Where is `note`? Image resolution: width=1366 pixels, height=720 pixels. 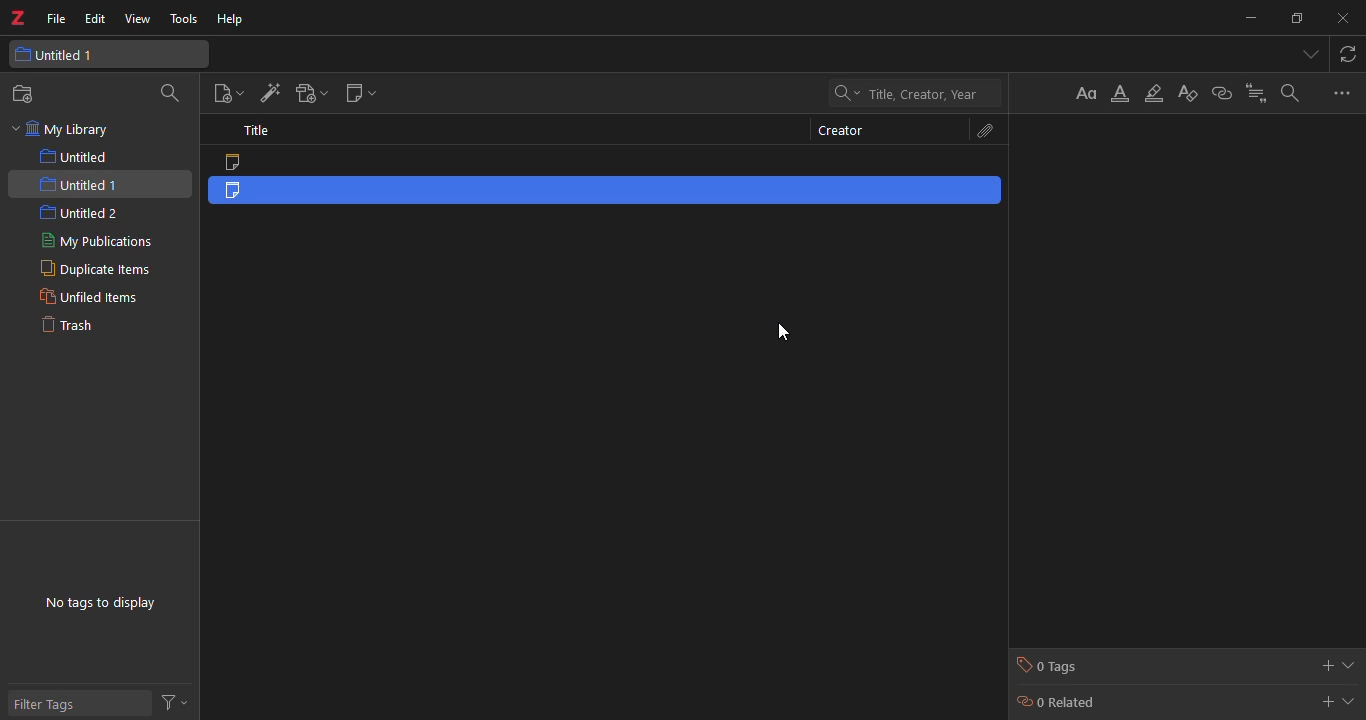 note is located at coordinates (231, 163).